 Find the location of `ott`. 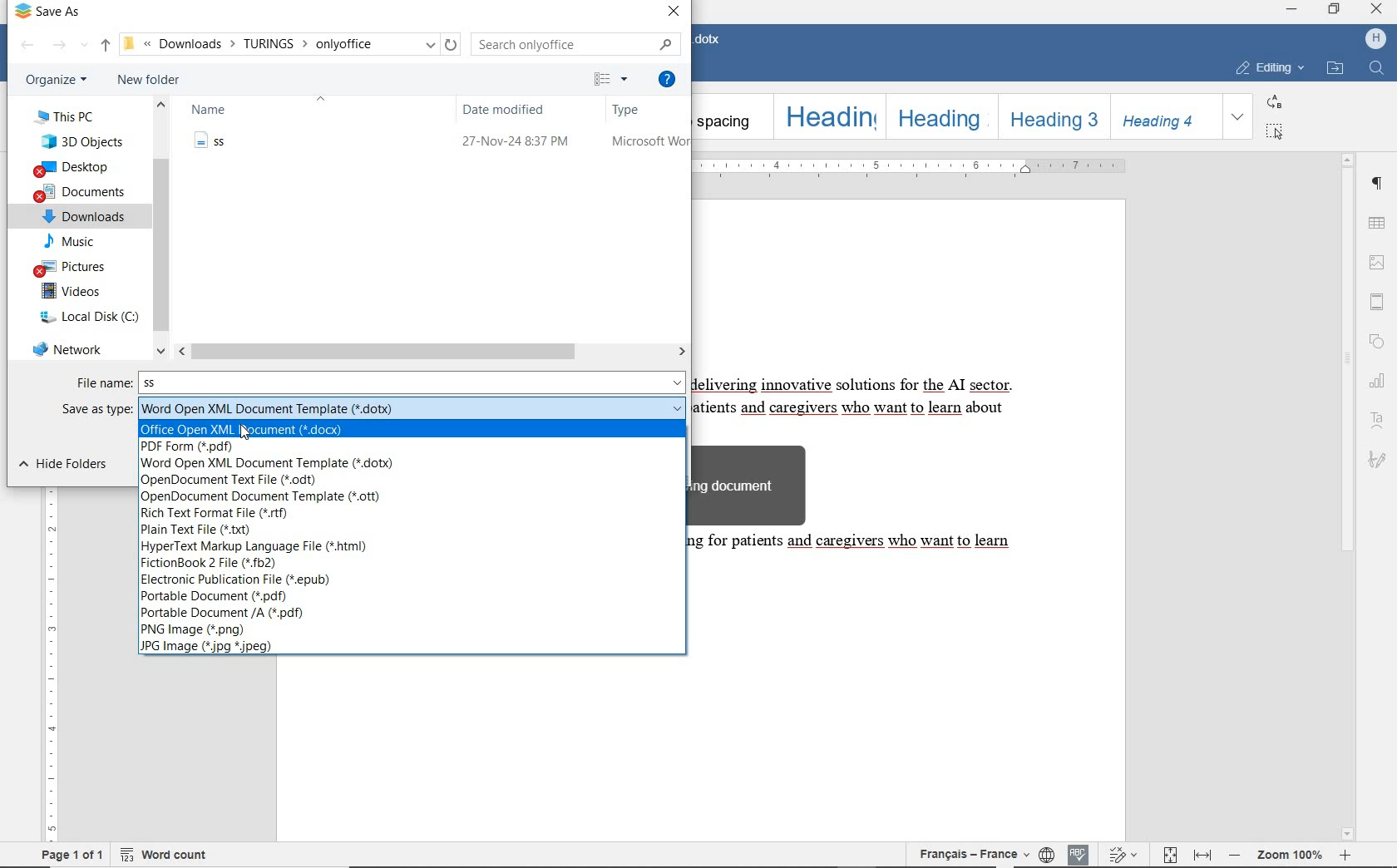

ott is located at coordinates (259, 496).